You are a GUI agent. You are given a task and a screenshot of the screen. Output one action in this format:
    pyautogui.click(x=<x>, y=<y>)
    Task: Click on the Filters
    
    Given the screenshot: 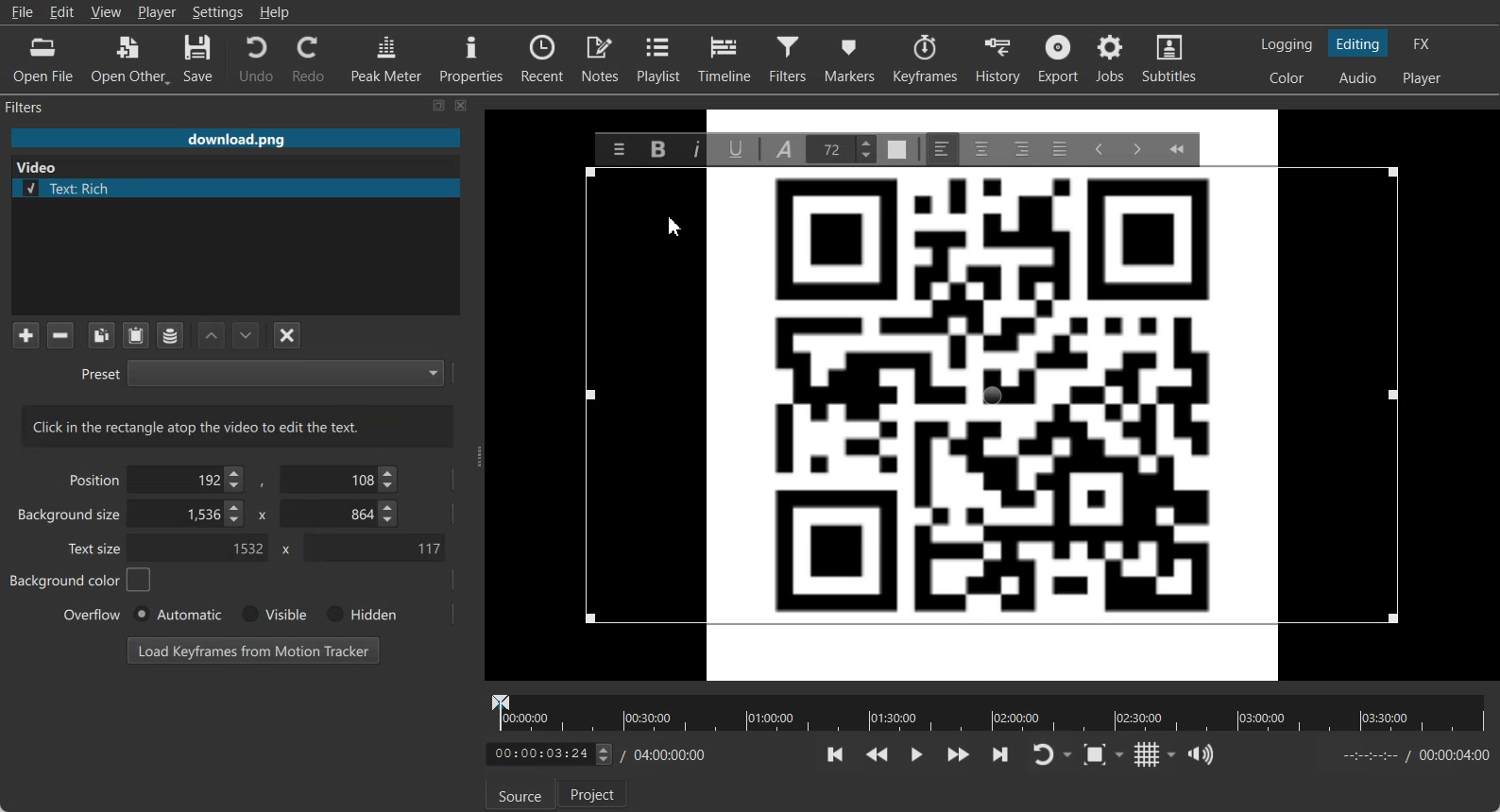 What is the action you would take?
    pyautogui.click(x=43, y=106)
    